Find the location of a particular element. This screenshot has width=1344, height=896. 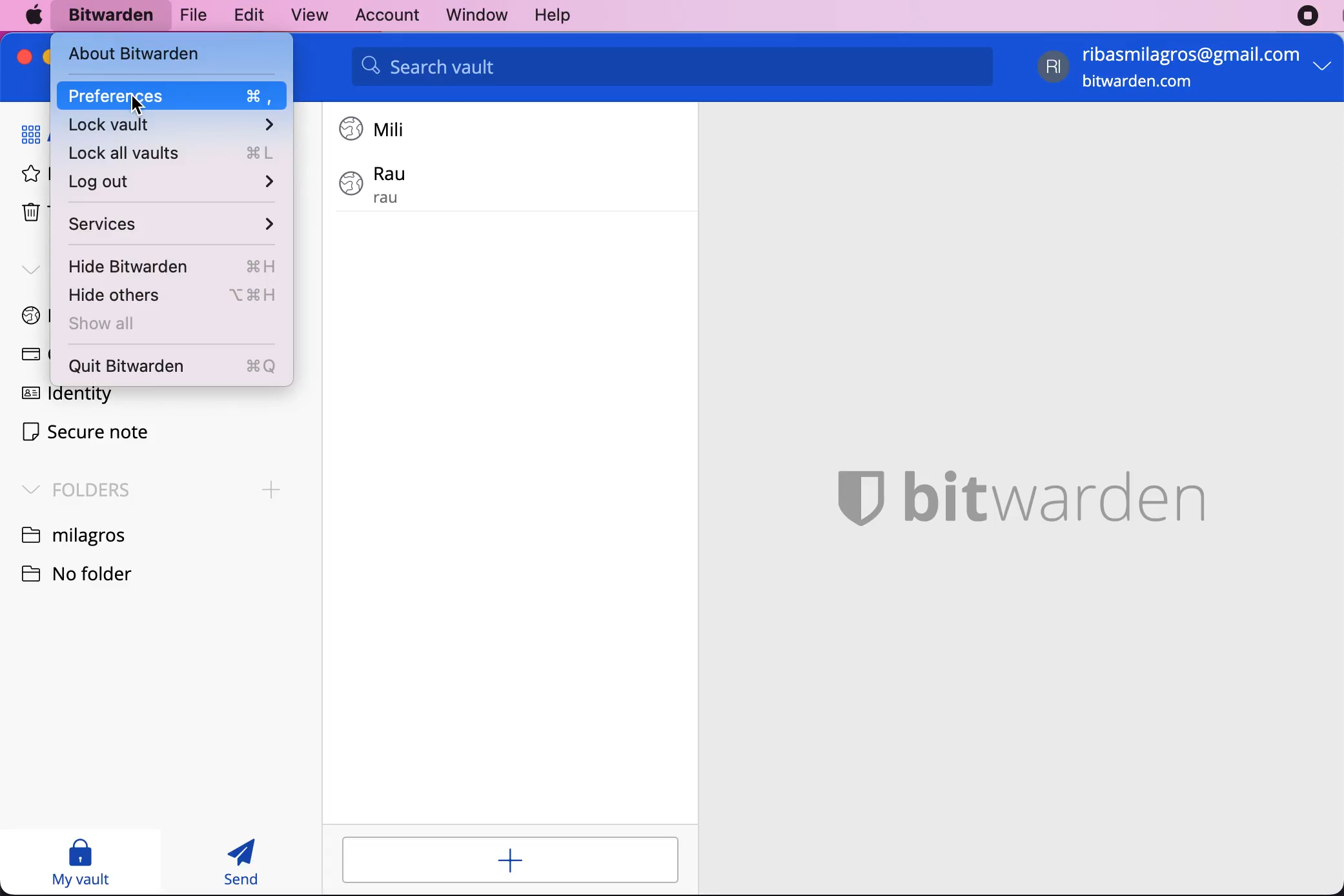

types is located at coordinates (28, 269).